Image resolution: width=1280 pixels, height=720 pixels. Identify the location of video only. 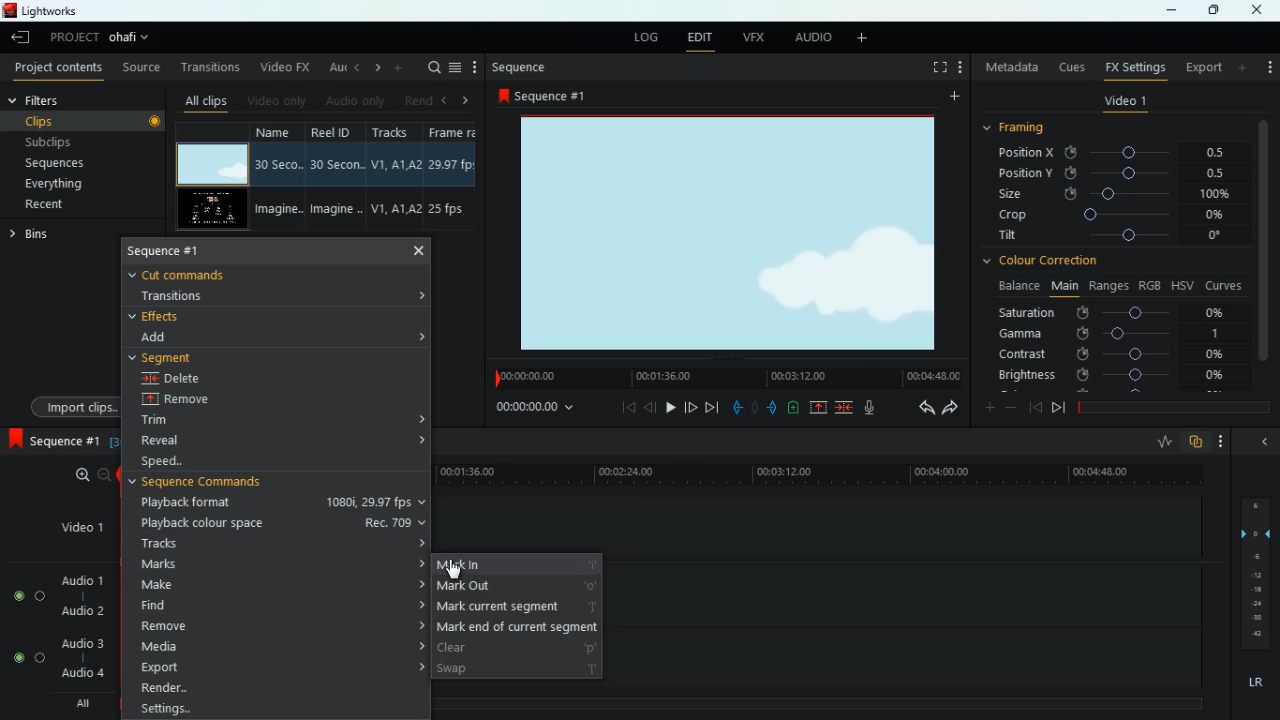
(274, 101).